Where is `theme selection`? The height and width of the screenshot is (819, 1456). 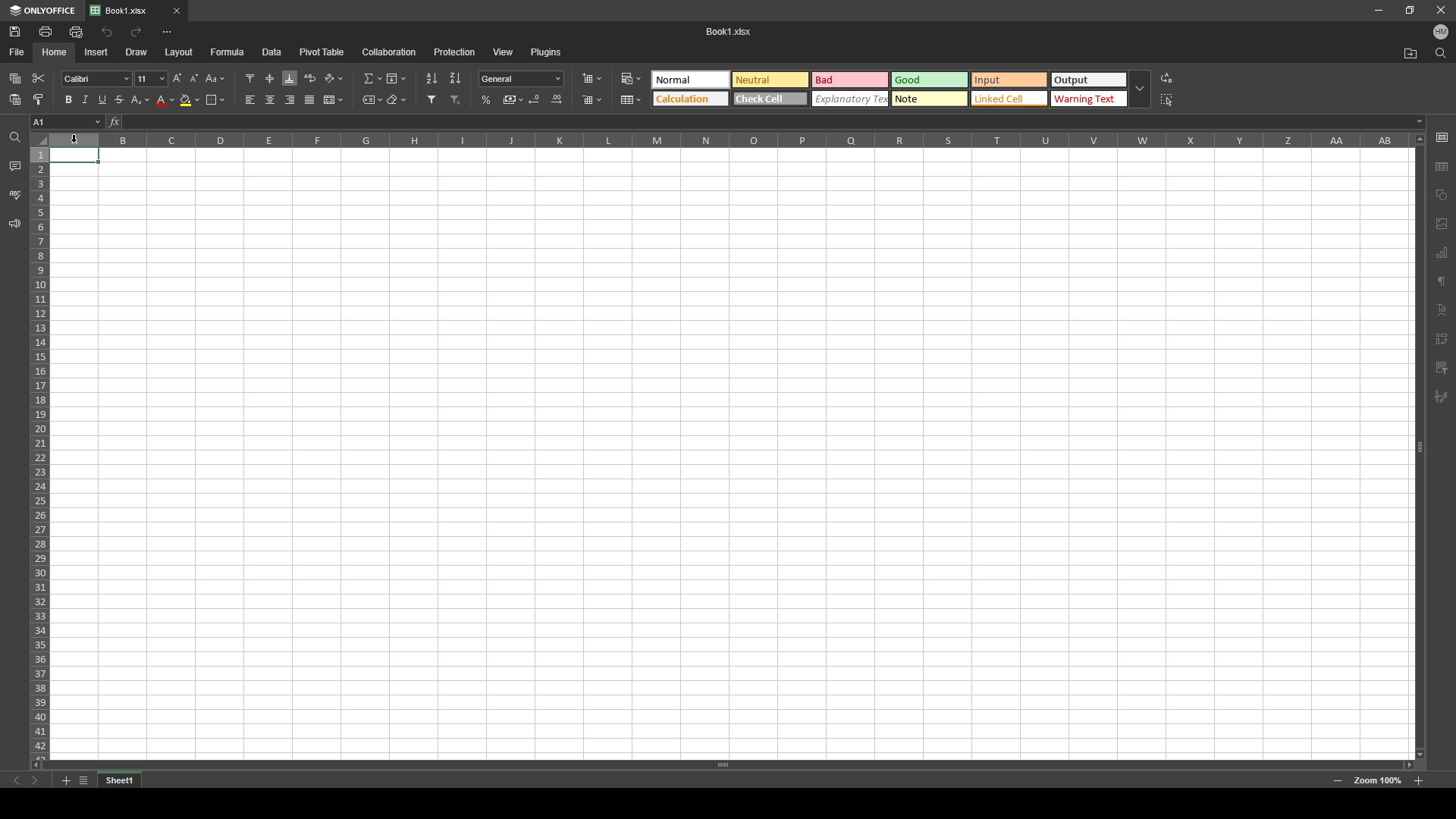
theme selection is located at coordinates (887, 89).